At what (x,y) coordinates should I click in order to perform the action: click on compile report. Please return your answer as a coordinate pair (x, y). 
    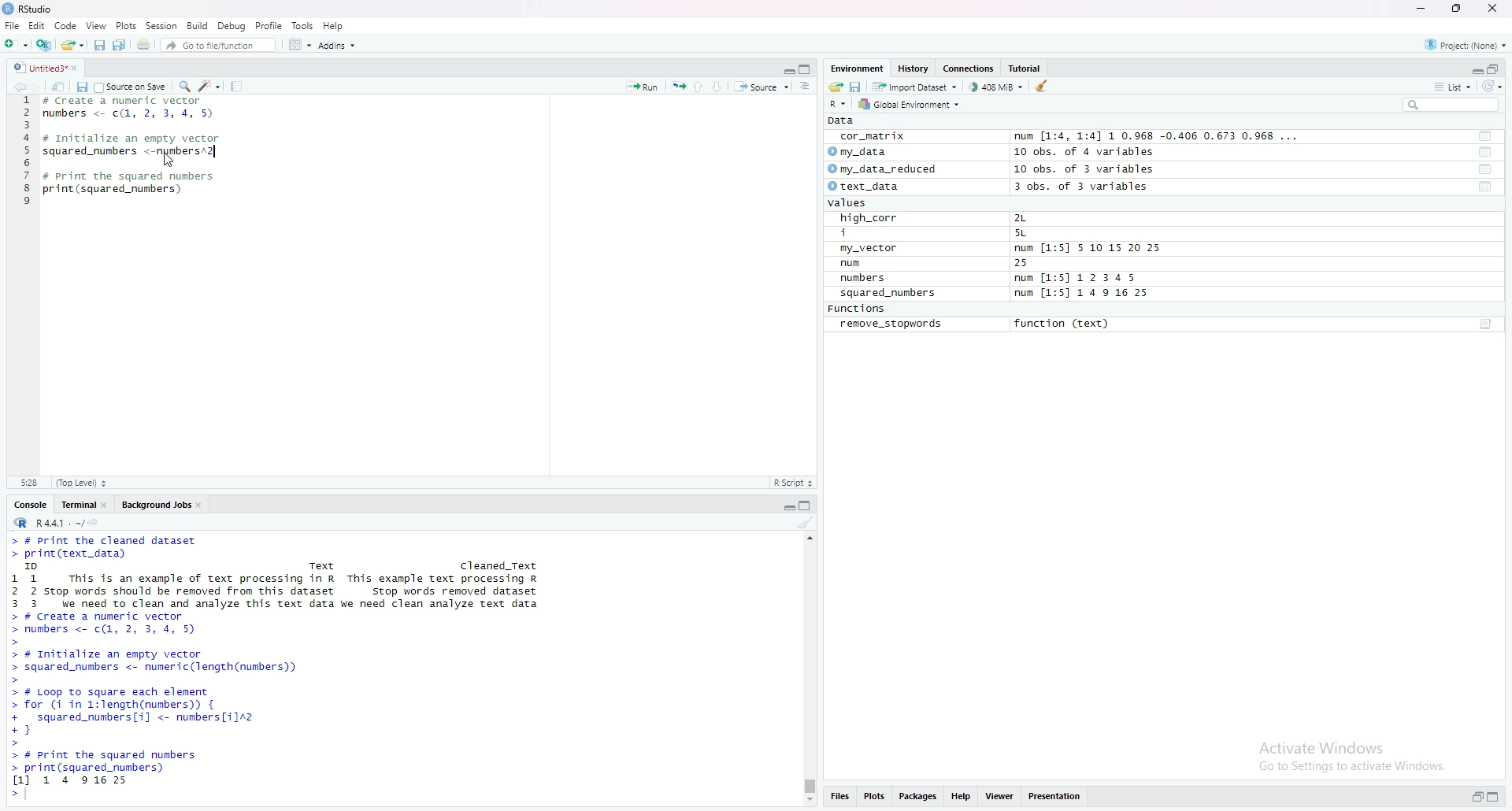
    Looking at the image, I should click on (236, 86).